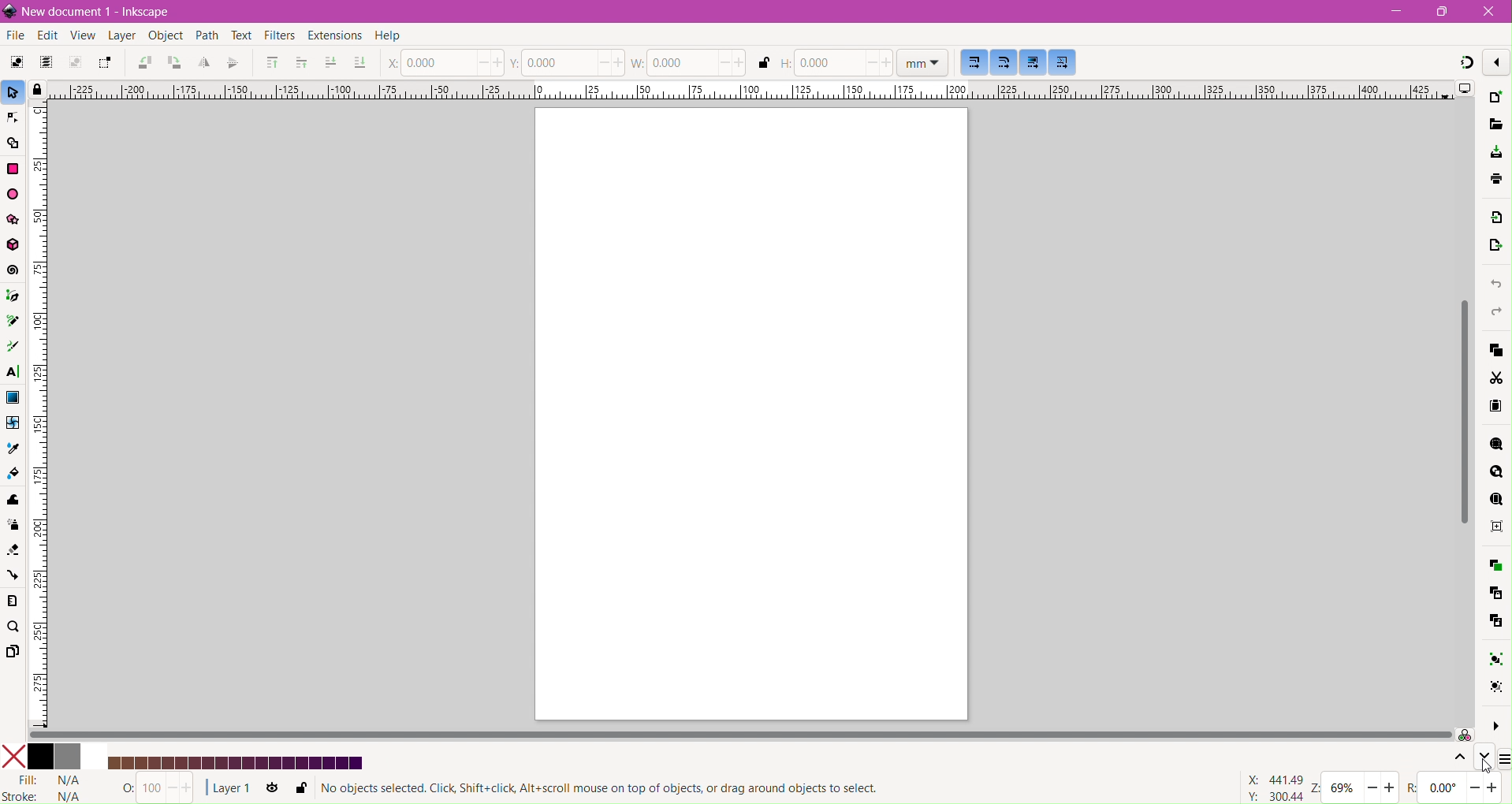 The width and height of the screenshot is (1512, 804). What do you see at coordinates (1272, 789) in the screenshot?
I see `Cursor Coordinates` at bounding box center [1272, 789].